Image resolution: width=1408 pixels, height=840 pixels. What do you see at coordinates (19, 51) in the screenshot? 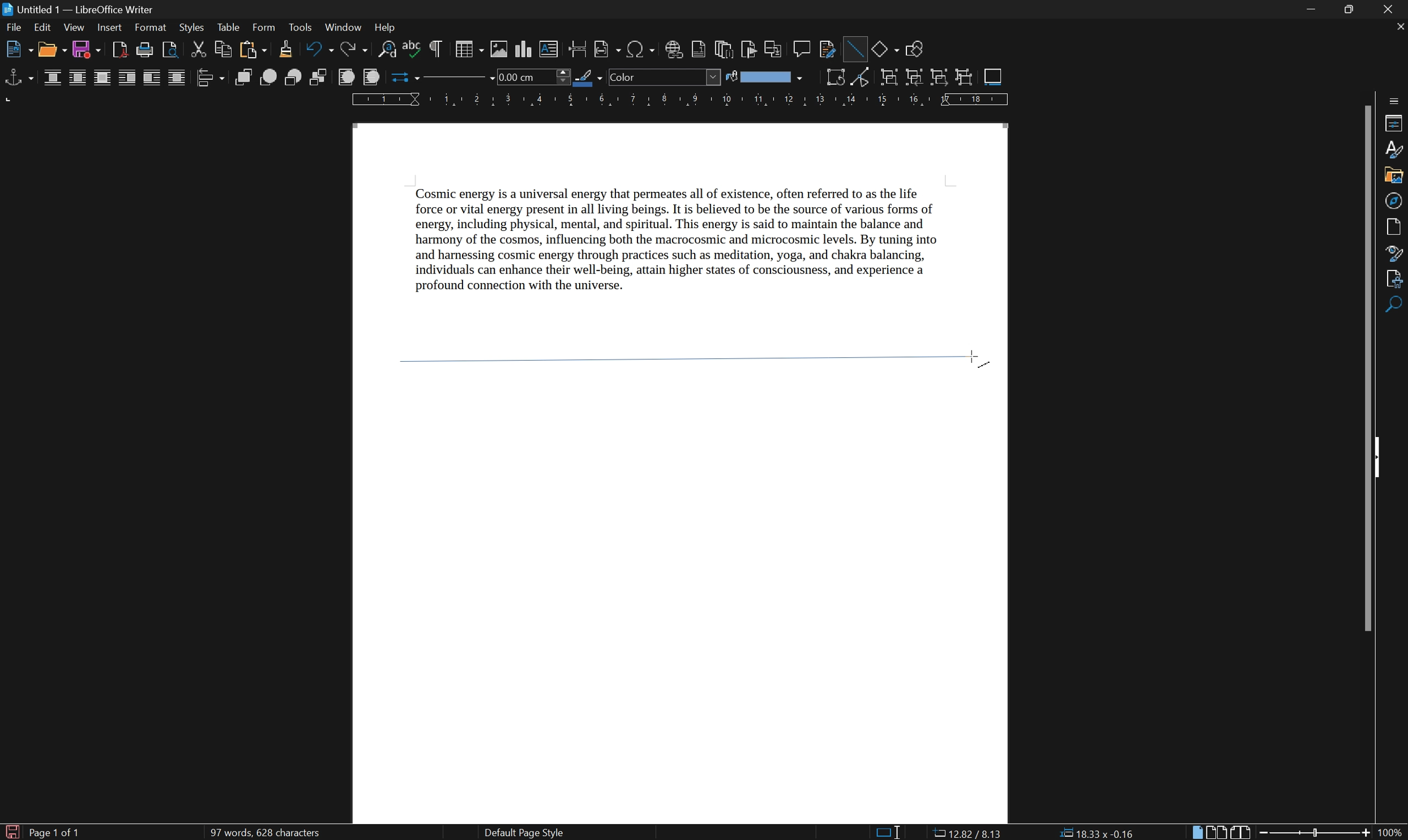
I see `new` at bounding box center [19, 51].